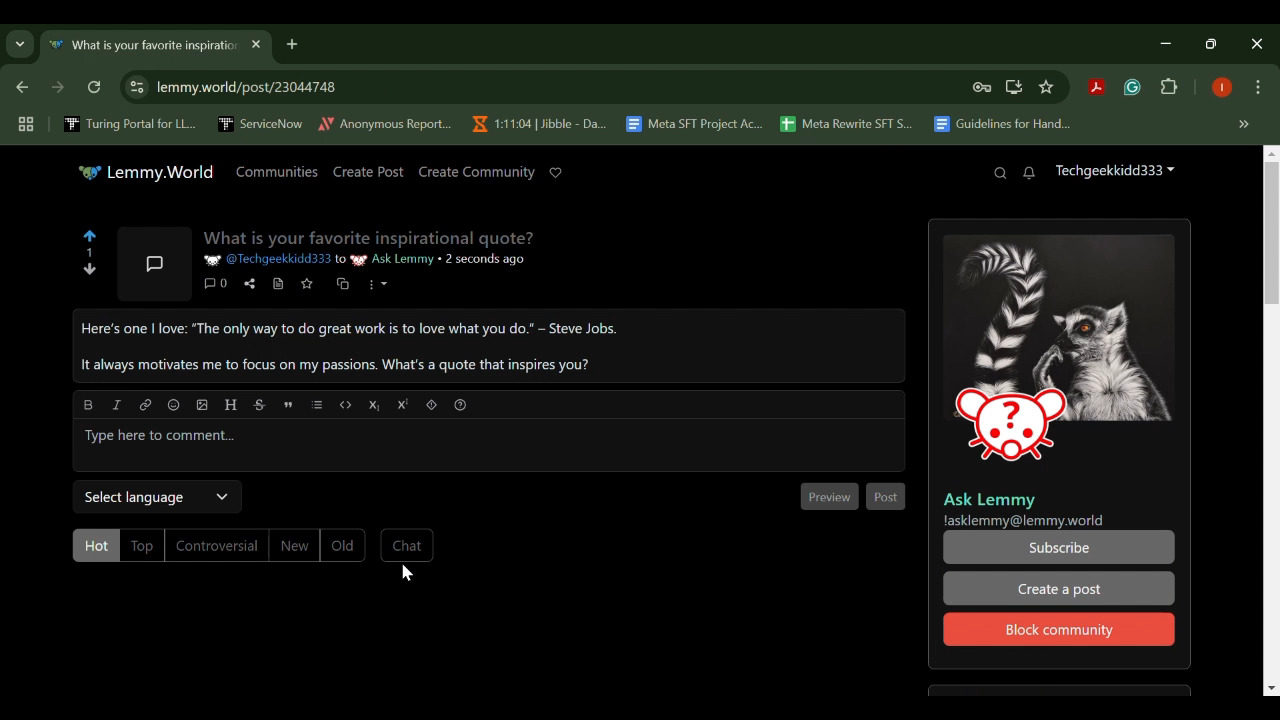 The width and height of the screenshot is (1280, 720). Describe the element at coordinates (58, 90) in the screenshot. I see `Next Webpage` at that location.